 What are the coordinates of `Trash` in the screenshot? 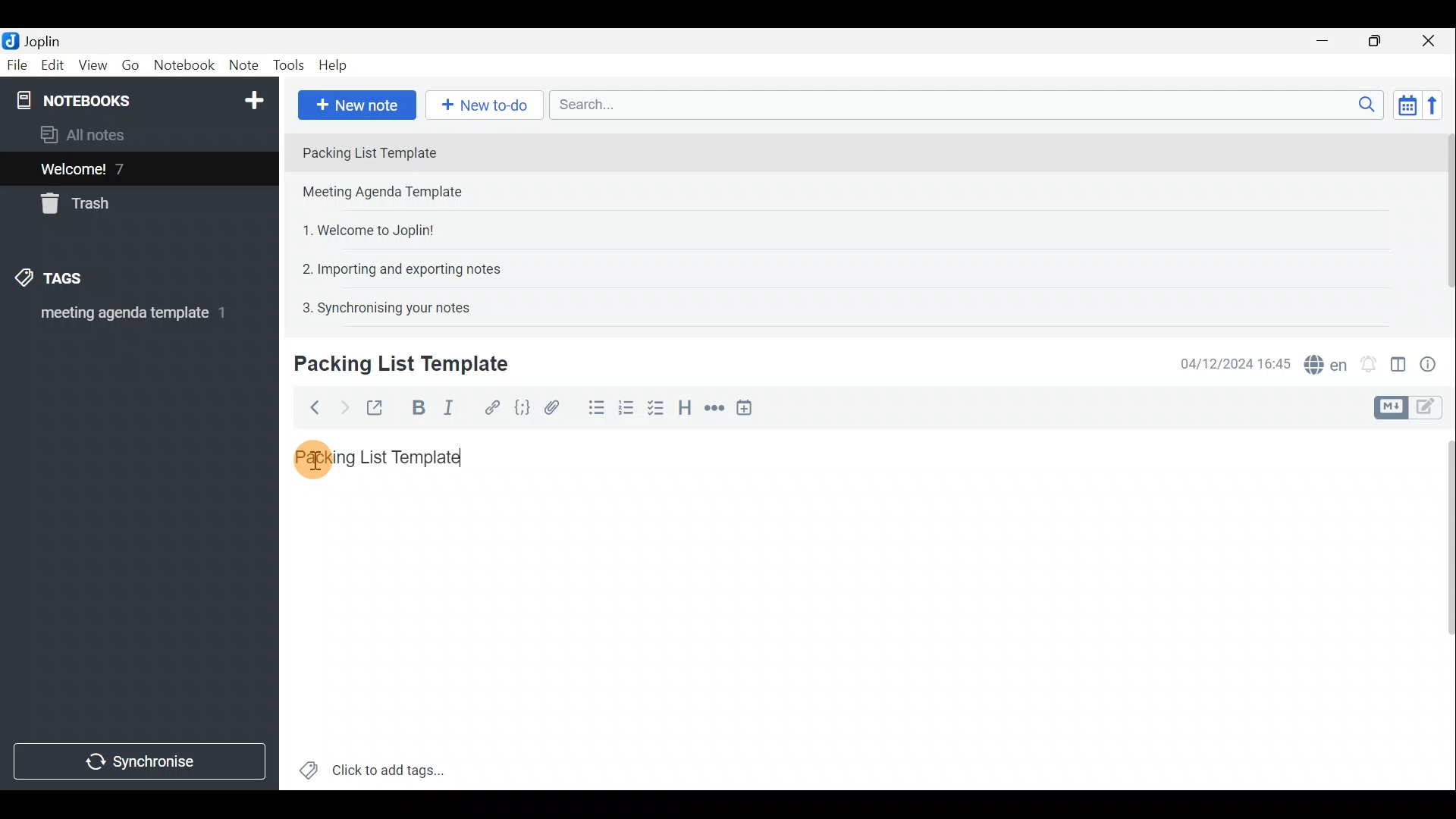 It's located at (81, 206).